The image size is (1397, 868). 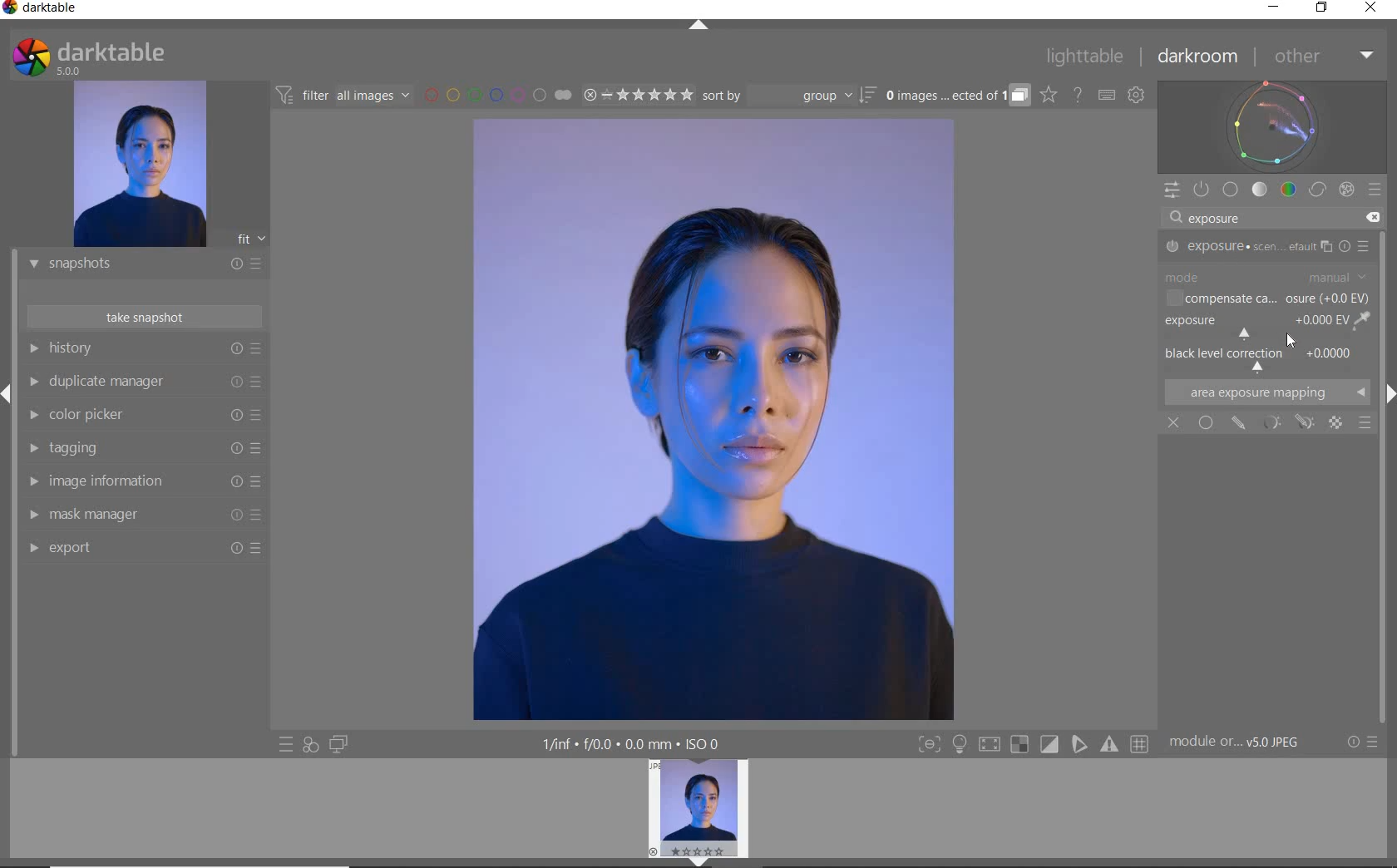 What do you see at coordinates (139, 547) in the screenshot?
I see `EXPORT` at bounding box center [139, 547].